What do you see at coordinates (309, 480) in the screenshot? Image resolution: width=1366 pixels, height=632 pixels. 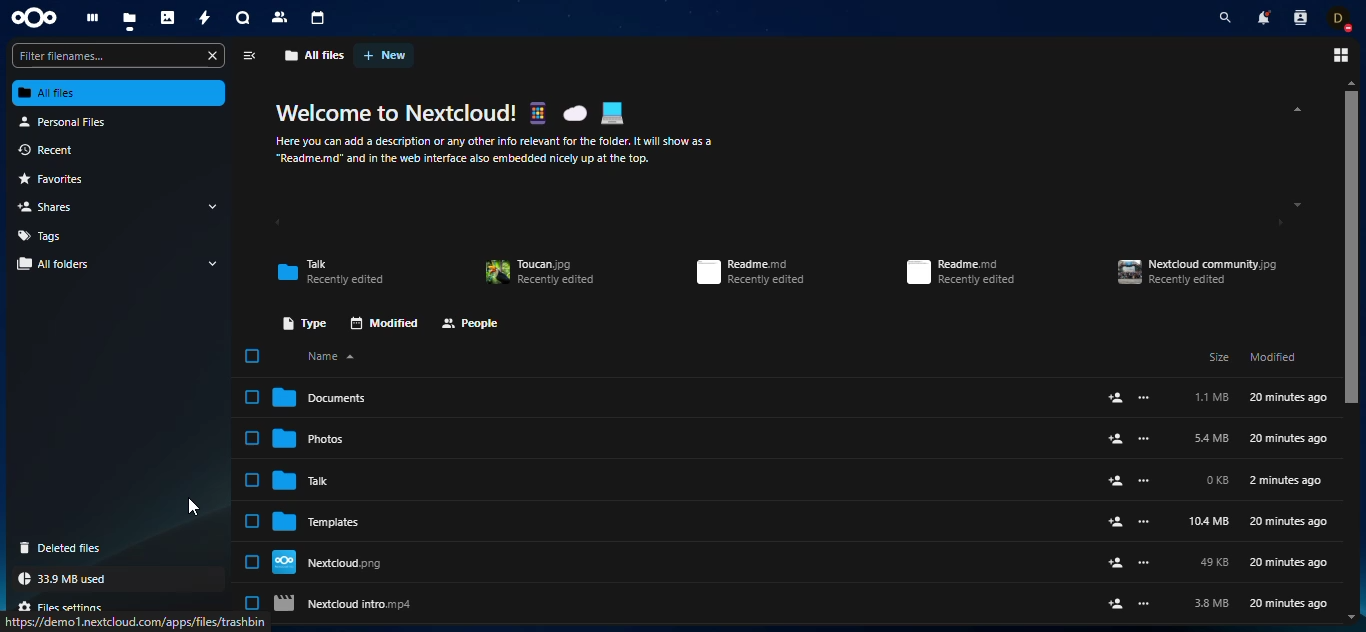 I see `Talk` at bounding box center [309, 480].